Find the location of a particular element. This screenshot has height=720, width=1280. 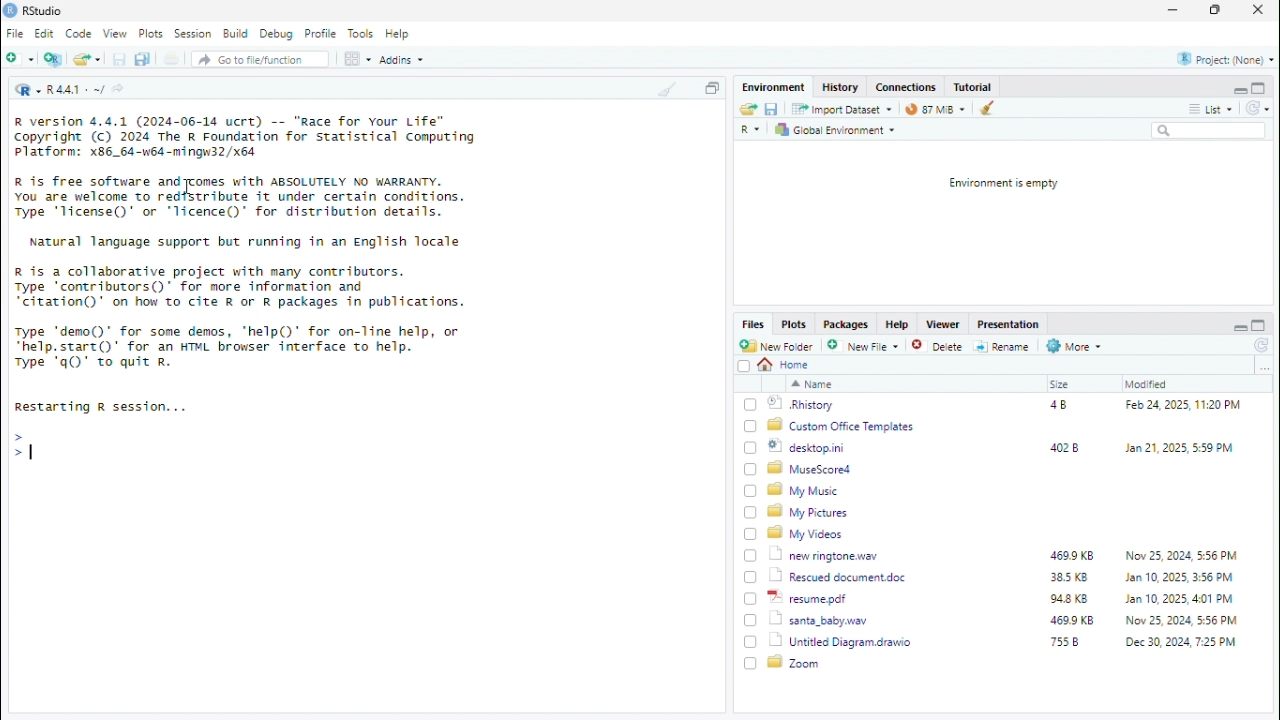

more is located at coordinates (1264, 367).